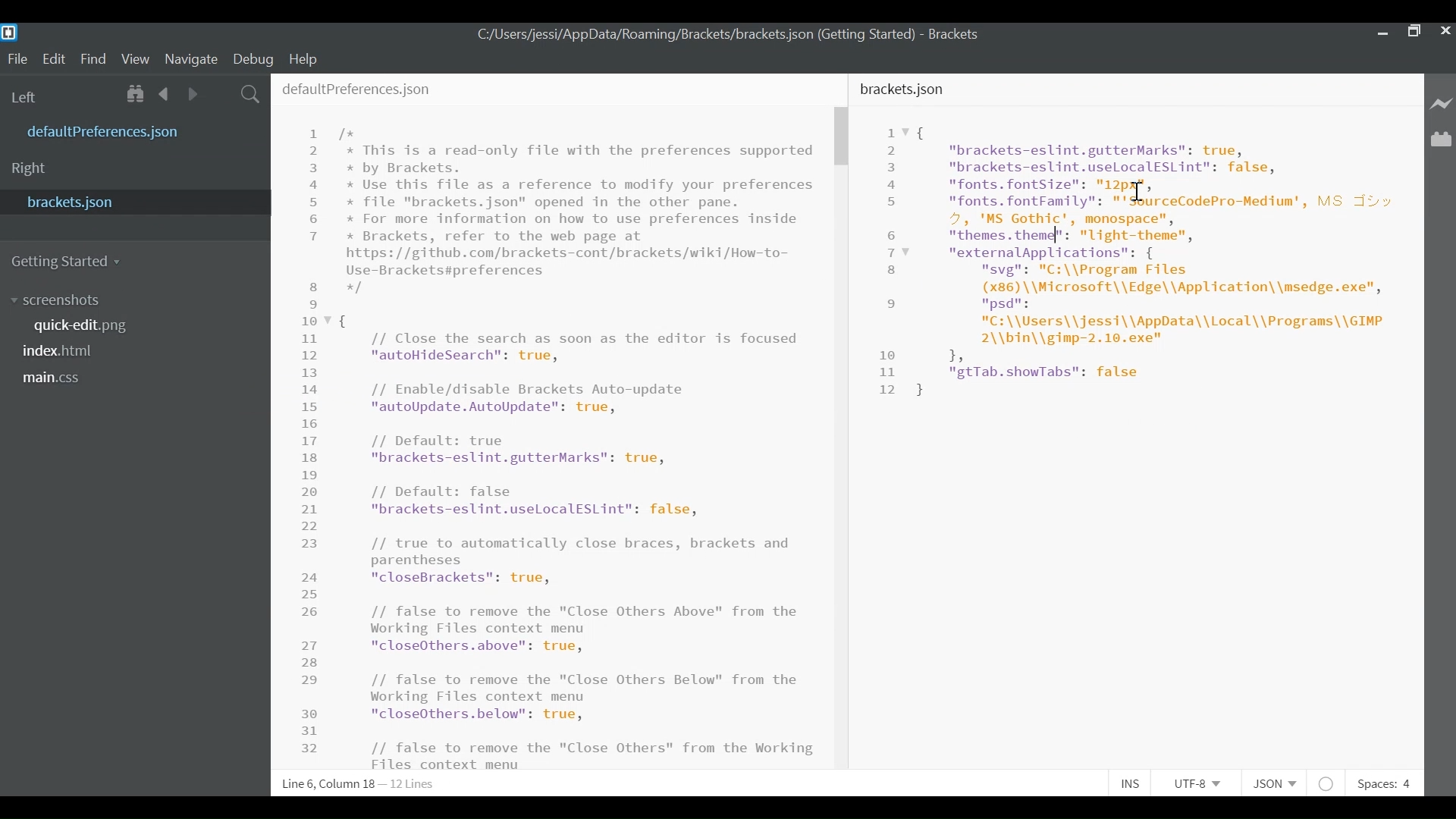 The image size is (1456, 819). What do you see at coordinates (905, 89) in the screenshot?
I see `bracket.json` at bounding box center [905, 89].